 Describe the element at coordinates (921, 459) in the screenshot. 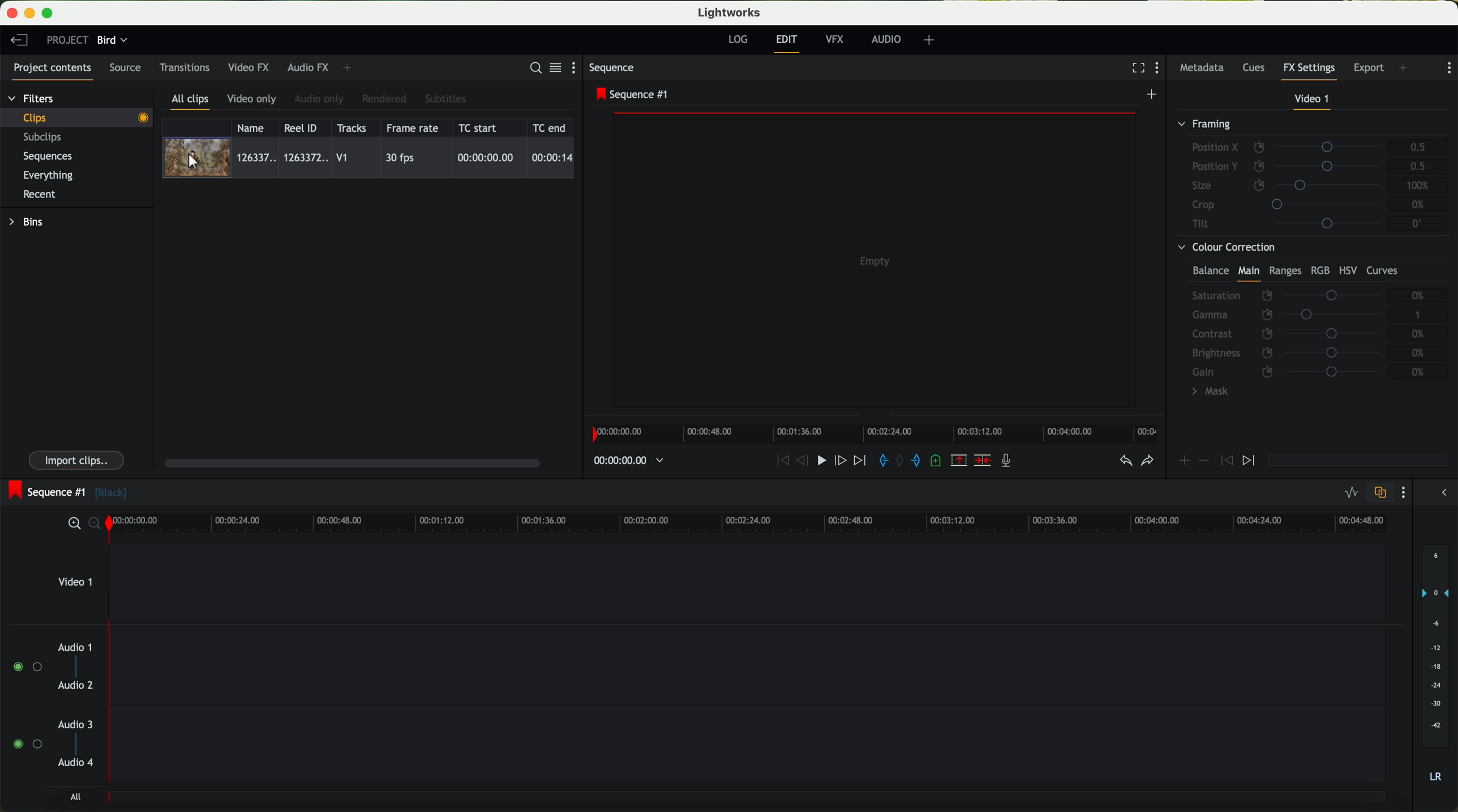

I see `add 'out' mark` at that location.